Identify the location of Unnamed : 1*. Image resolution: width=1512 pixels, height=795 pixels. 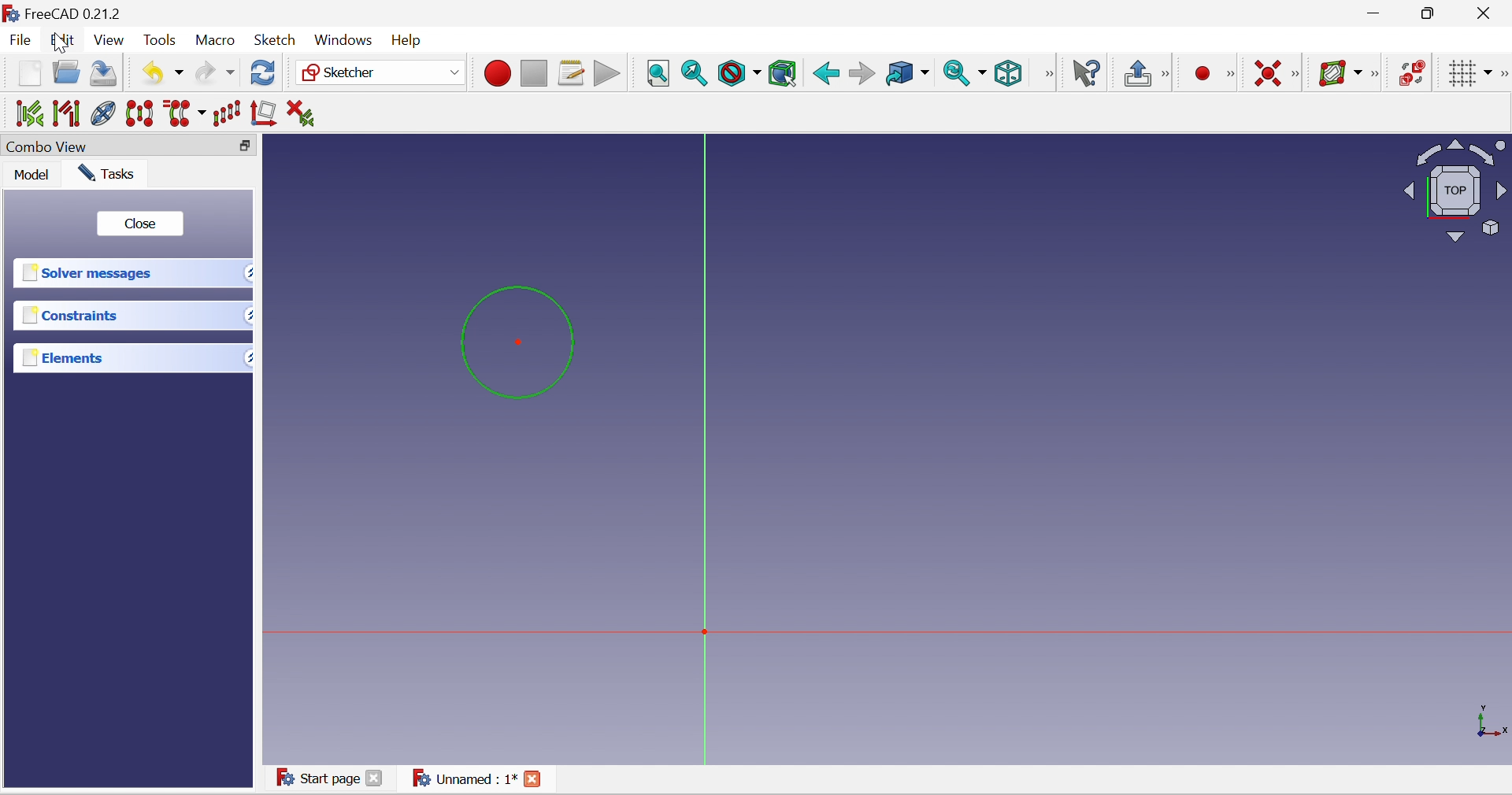
(477, 778).